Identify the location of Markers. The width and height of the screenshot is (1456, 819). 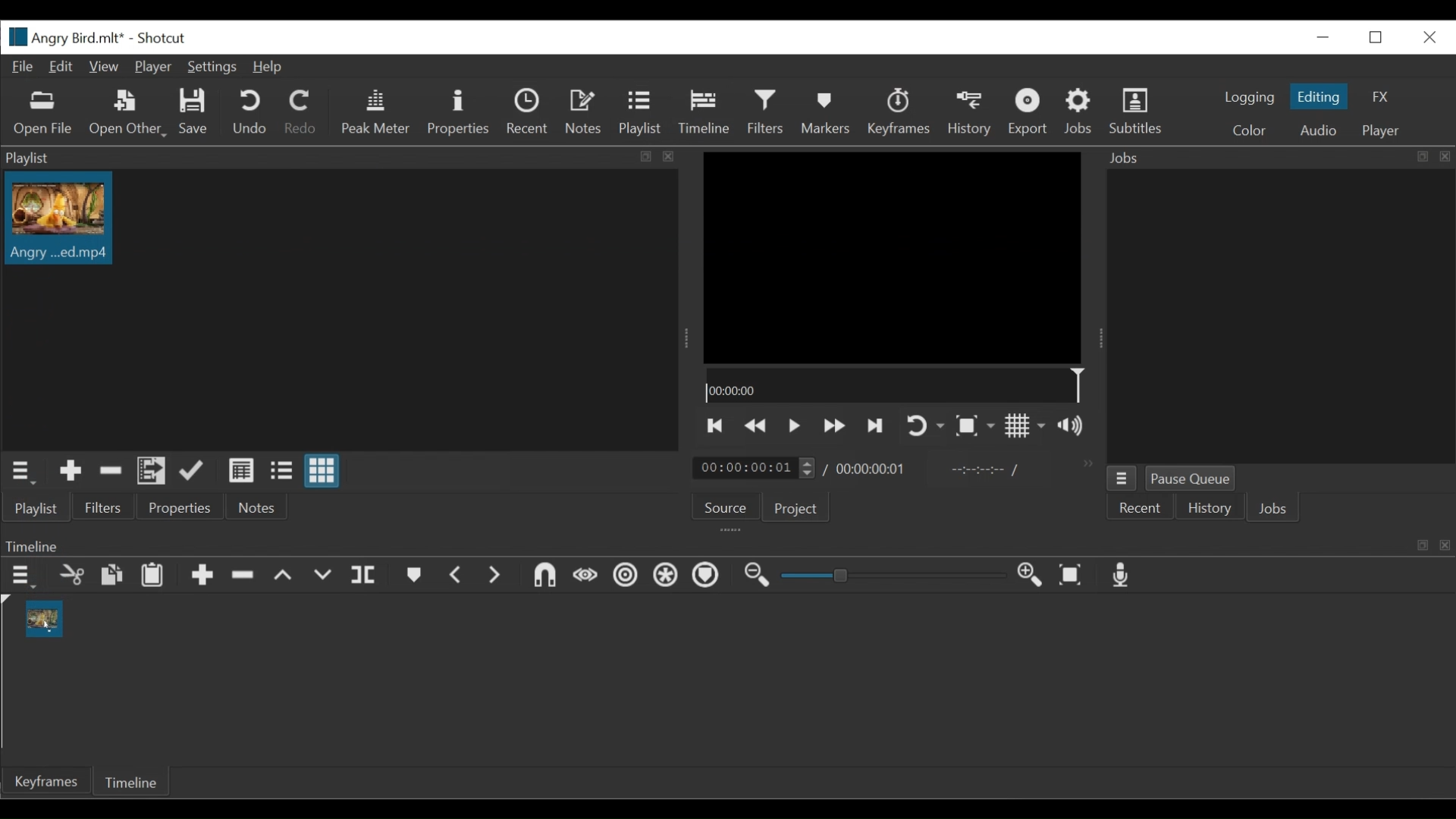
(415, 576).